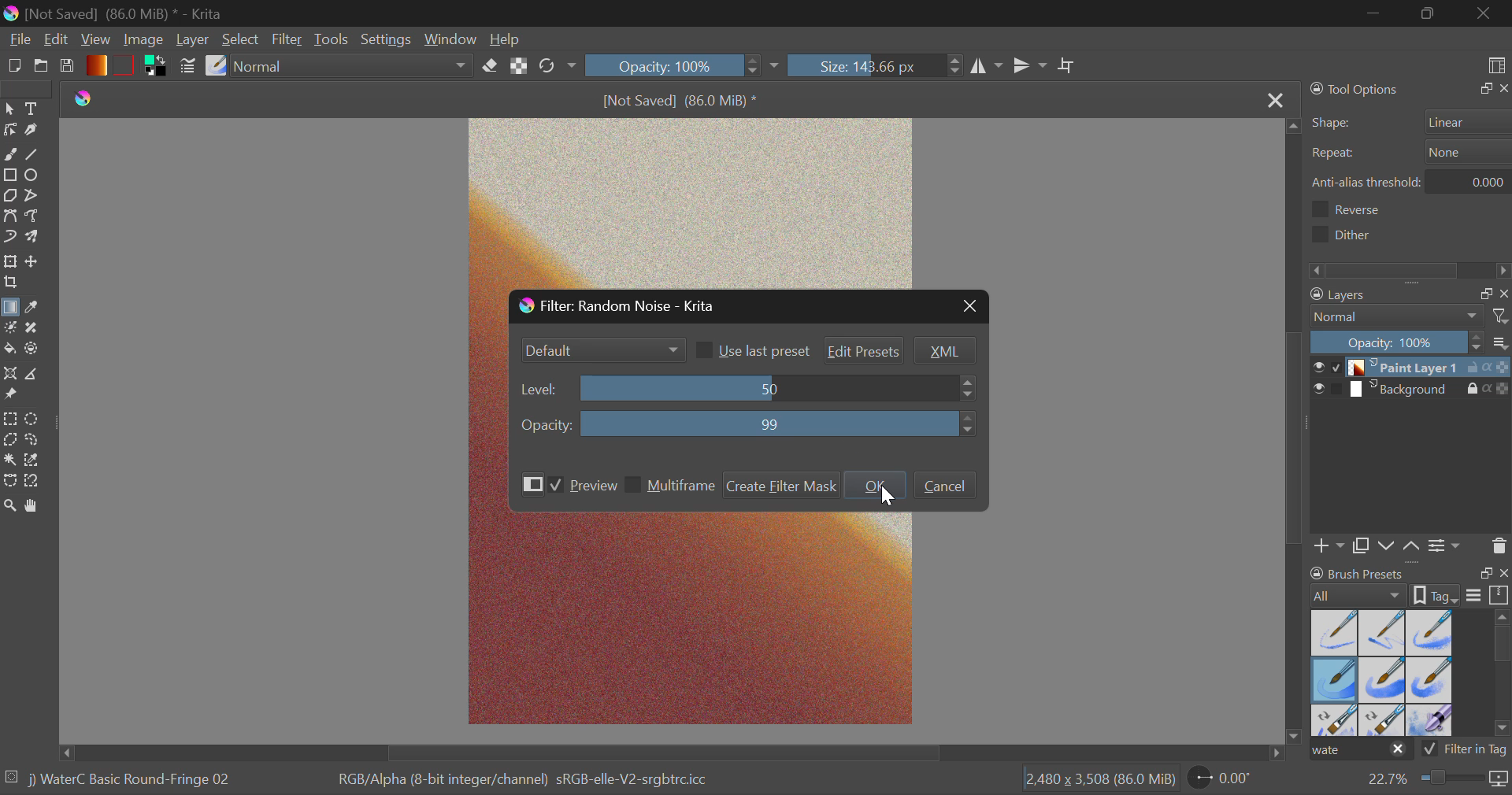 This screenshot has width=1512, height=795. What do you see at coordinates (335, 39) in the screenshot?
I see `Tools` at bounding box center [335, 39].